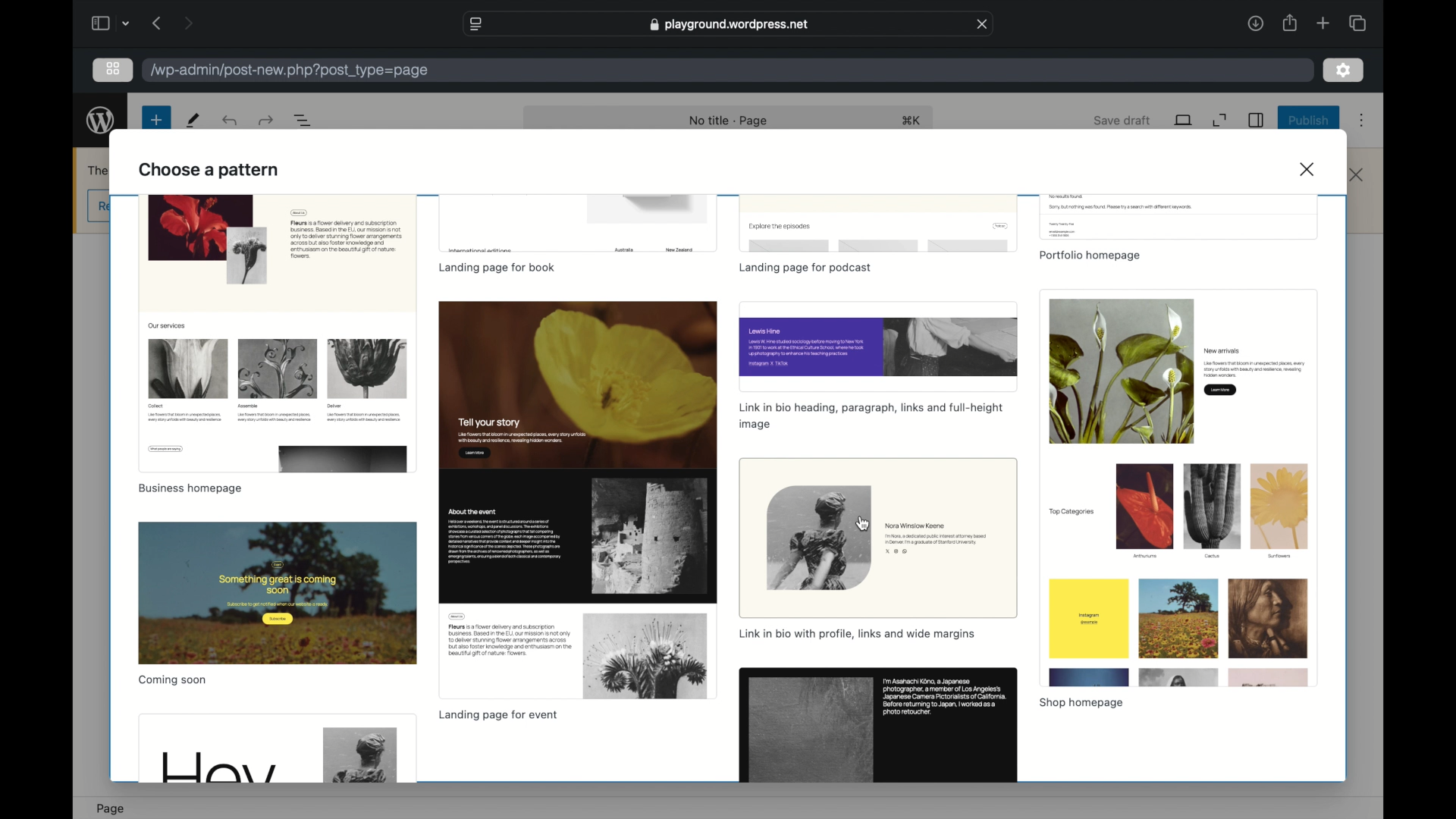 This screenshot has height=819, width=1456. What do you see at coordinates (1344, 71) in the screenshot?
I see `settings` at bounding box center [1344, 71].